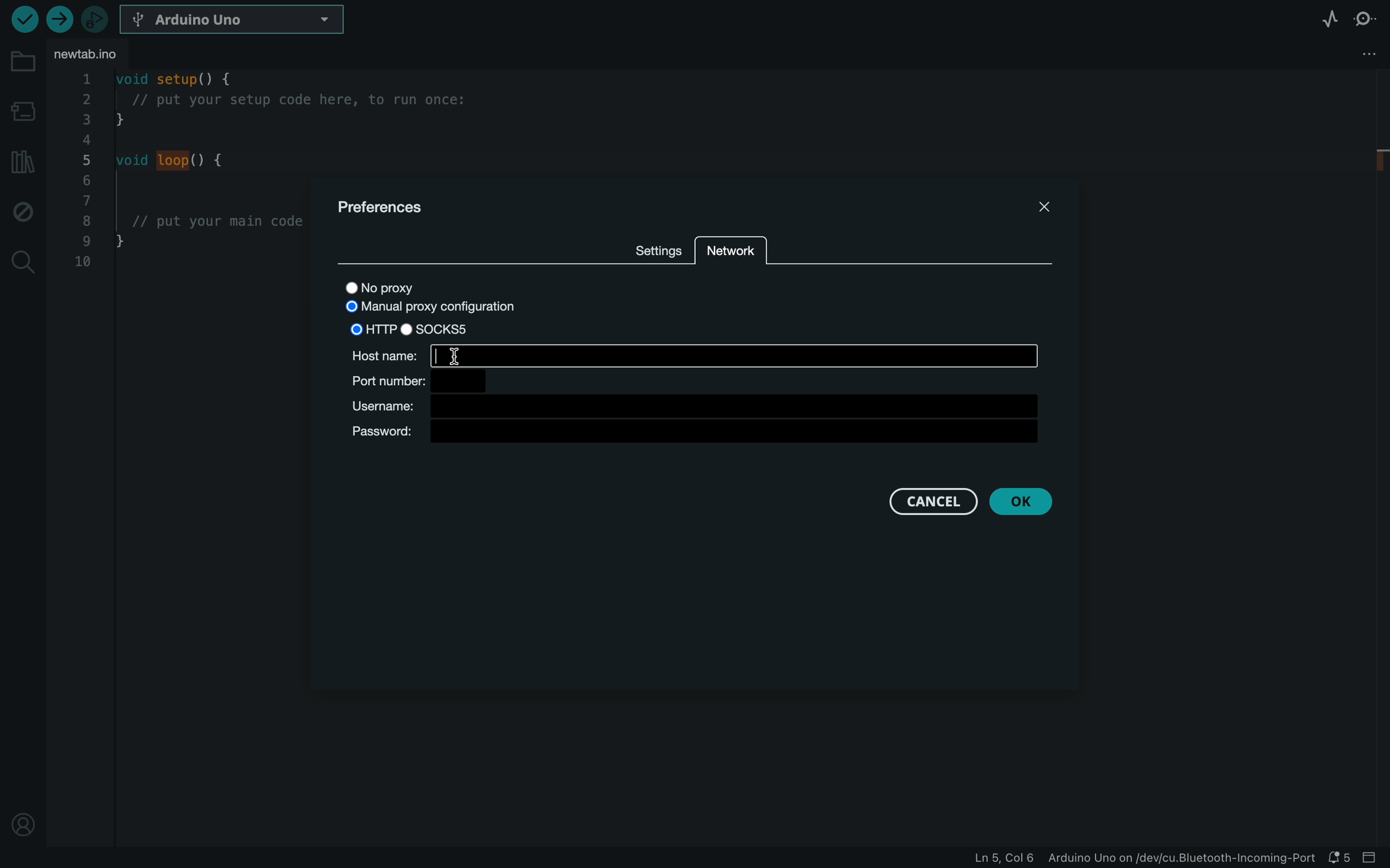 The height and width of the screenshot is (868, 1390). I want to click on cancel, so click(925, 502).